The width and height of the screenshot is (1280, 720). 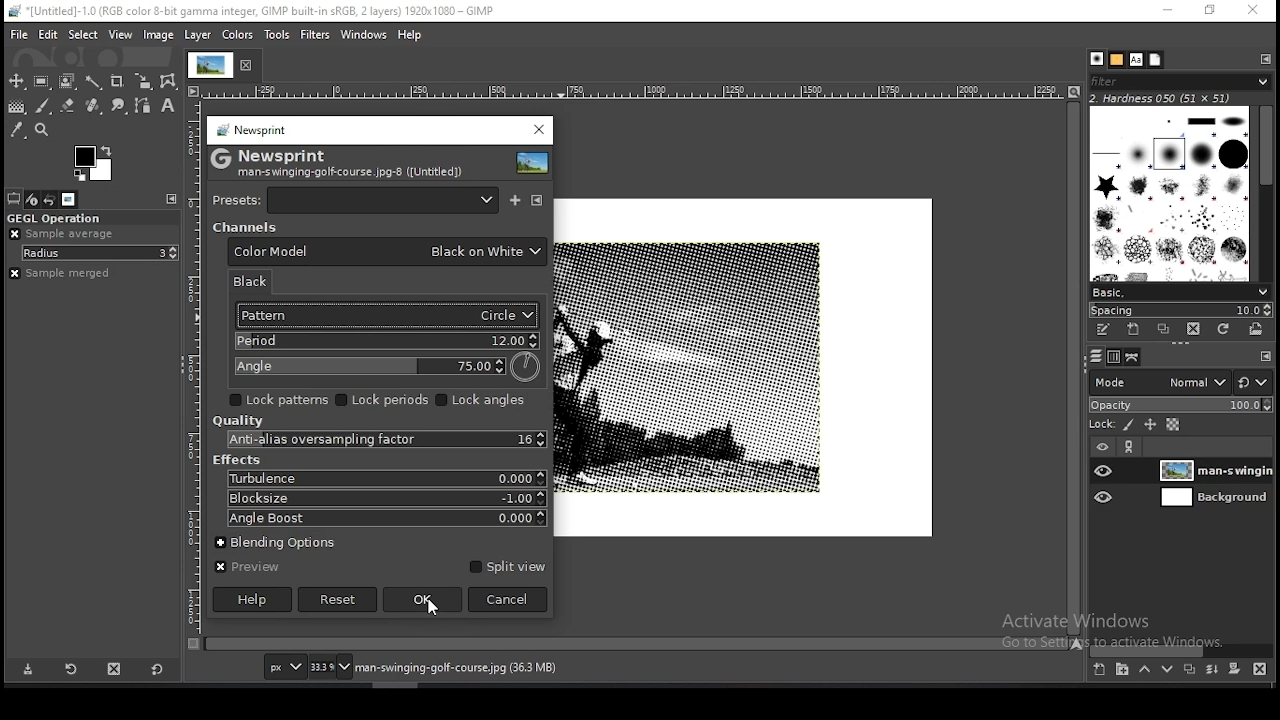 I want to click on move tool, so click(x=16, y=81).